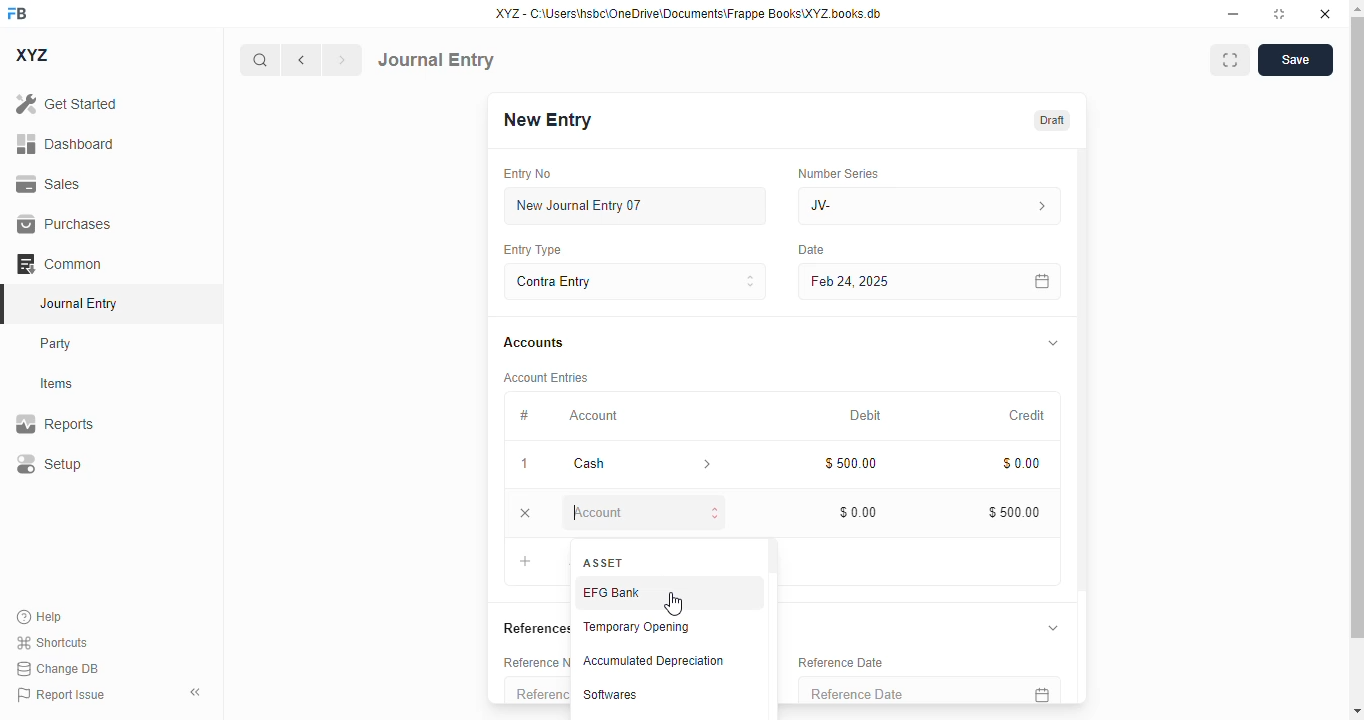  Describe the element at coordinates (67, 104) in the screenshot. I see `get started` at that location.